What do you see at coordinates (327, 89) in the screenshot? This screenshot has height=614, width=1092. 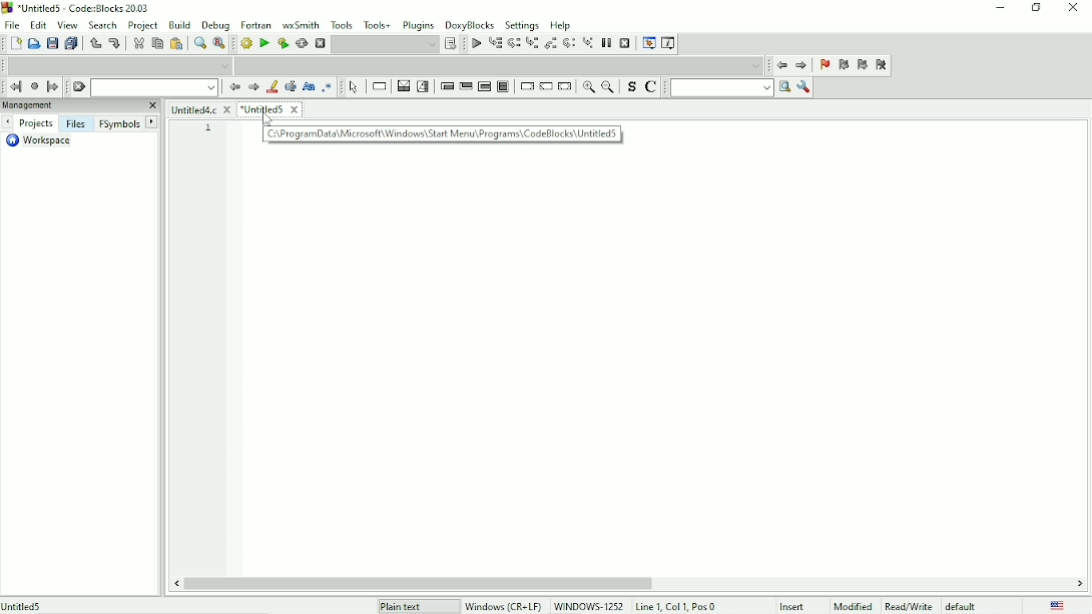 I see `Use regex` at bounding box center [327, 89].